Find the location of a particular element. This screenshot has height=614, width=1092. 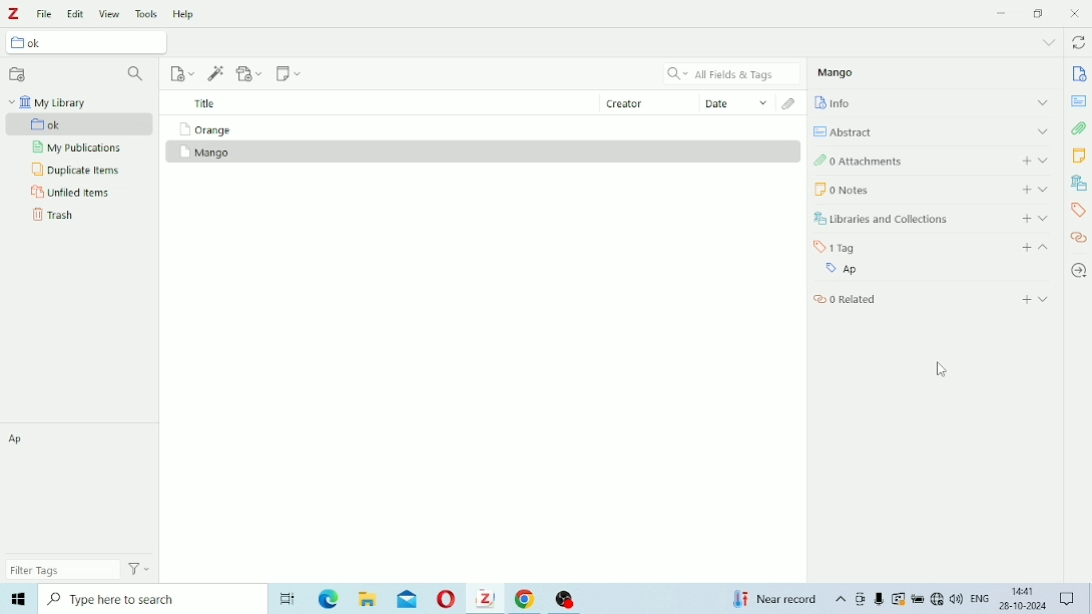

Speakers is located at coordinates (957, 599).